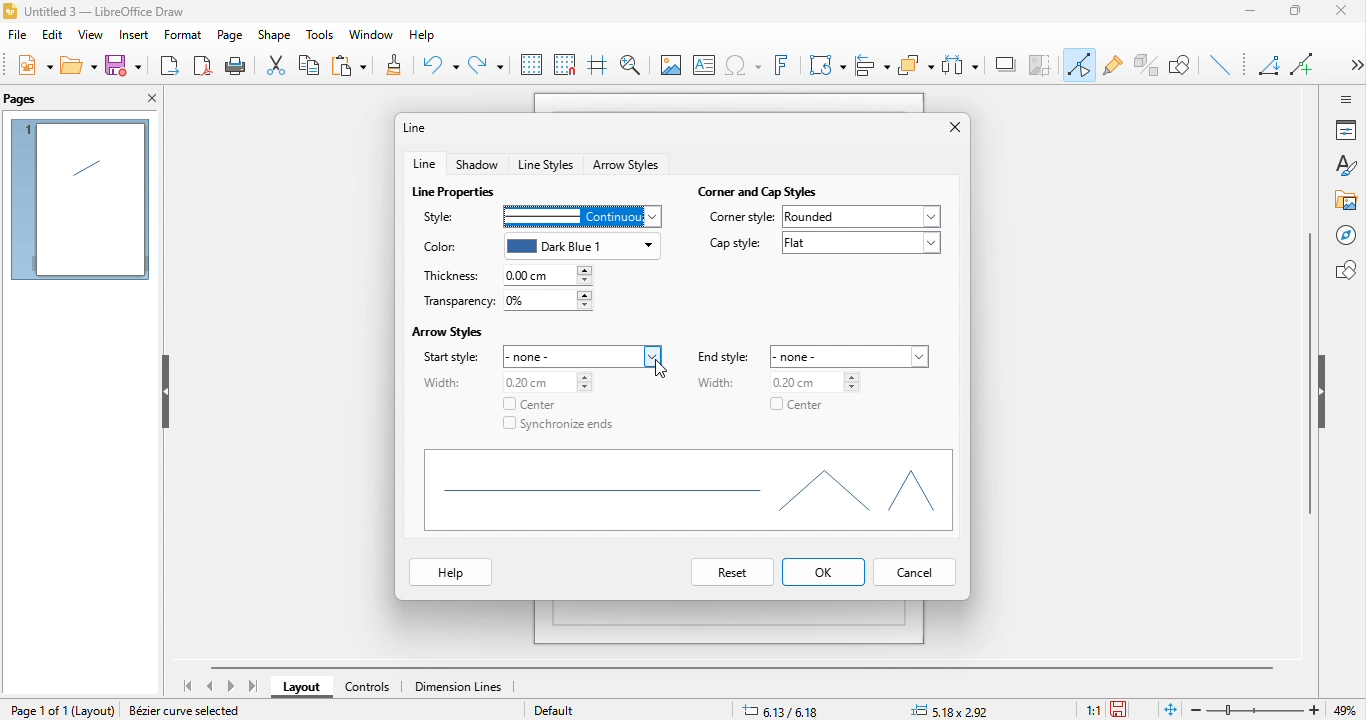  What do you see at coordinates (1092, 710) in the screenshot?
I see `1:1` at bounding box center [1092, 710].